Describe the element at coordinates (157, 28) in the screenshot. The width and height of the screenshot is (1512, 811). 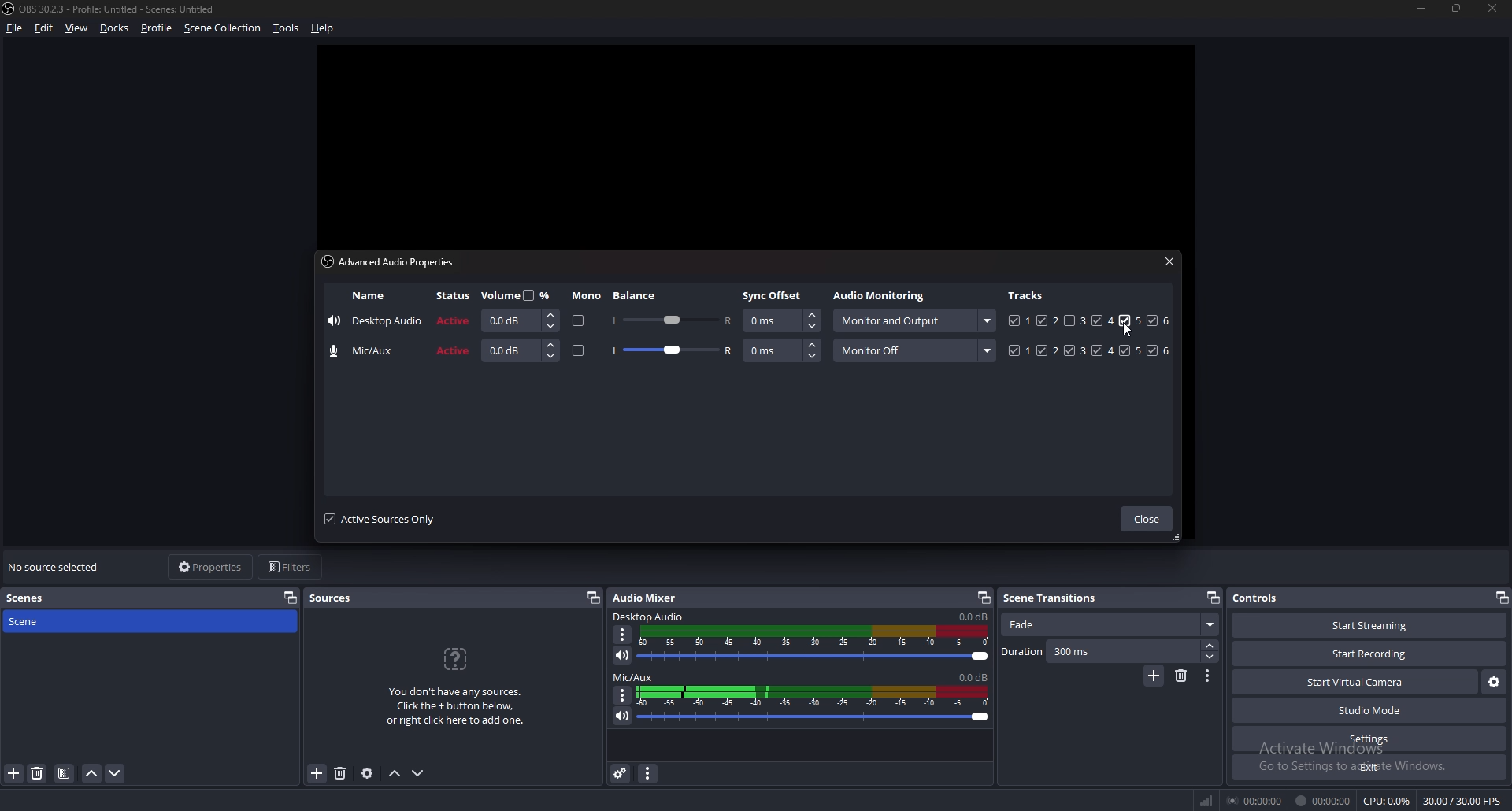
I see `profile` at that location.